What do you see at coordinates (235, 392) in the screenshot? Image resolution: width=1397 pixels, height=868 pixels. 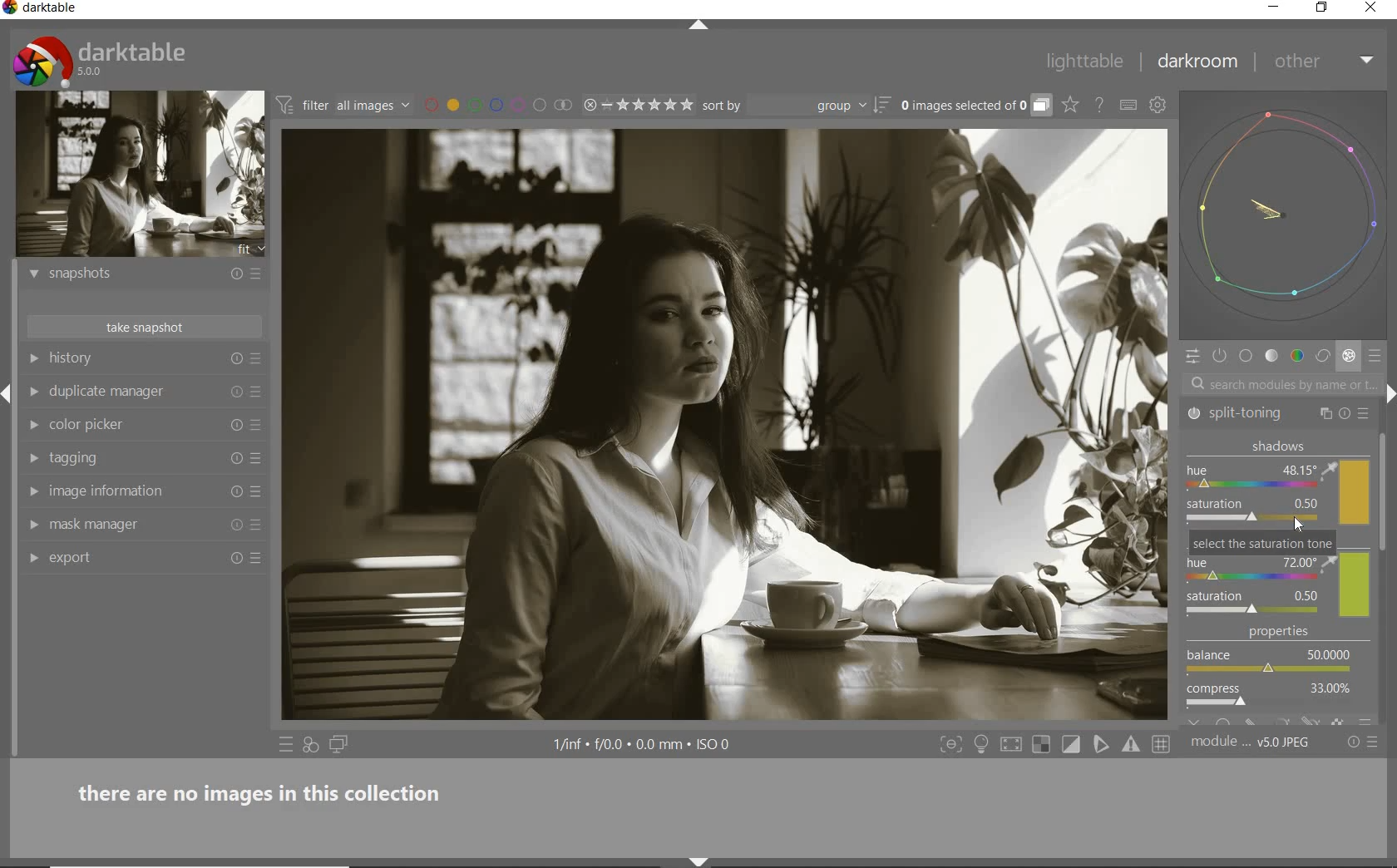 I see `reset` at bounding box center [235, 392].